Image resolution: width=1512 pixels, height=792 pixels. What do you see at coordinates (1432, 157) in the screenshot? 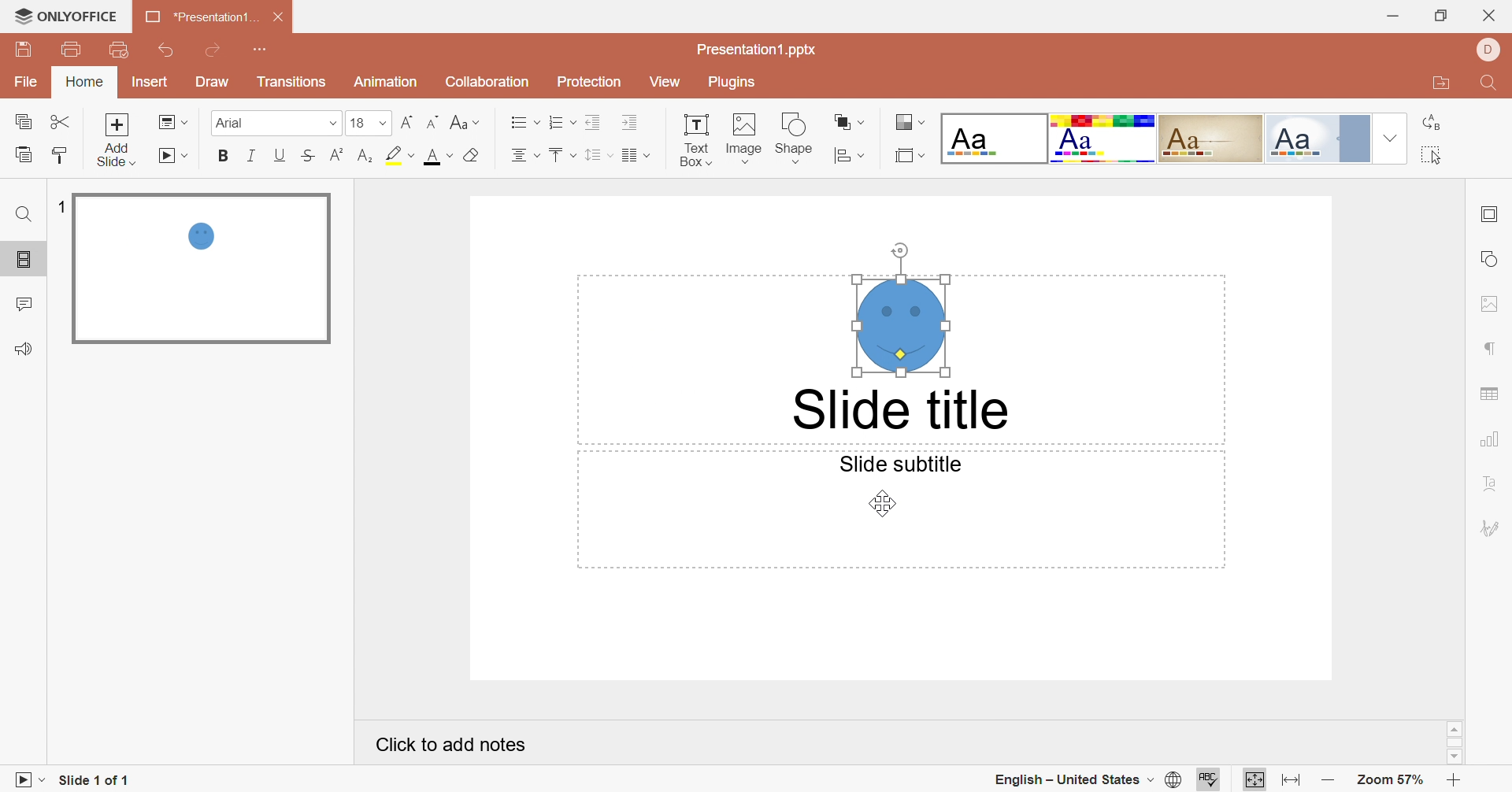
I see `Select all` at bounding box center [1432, 157].